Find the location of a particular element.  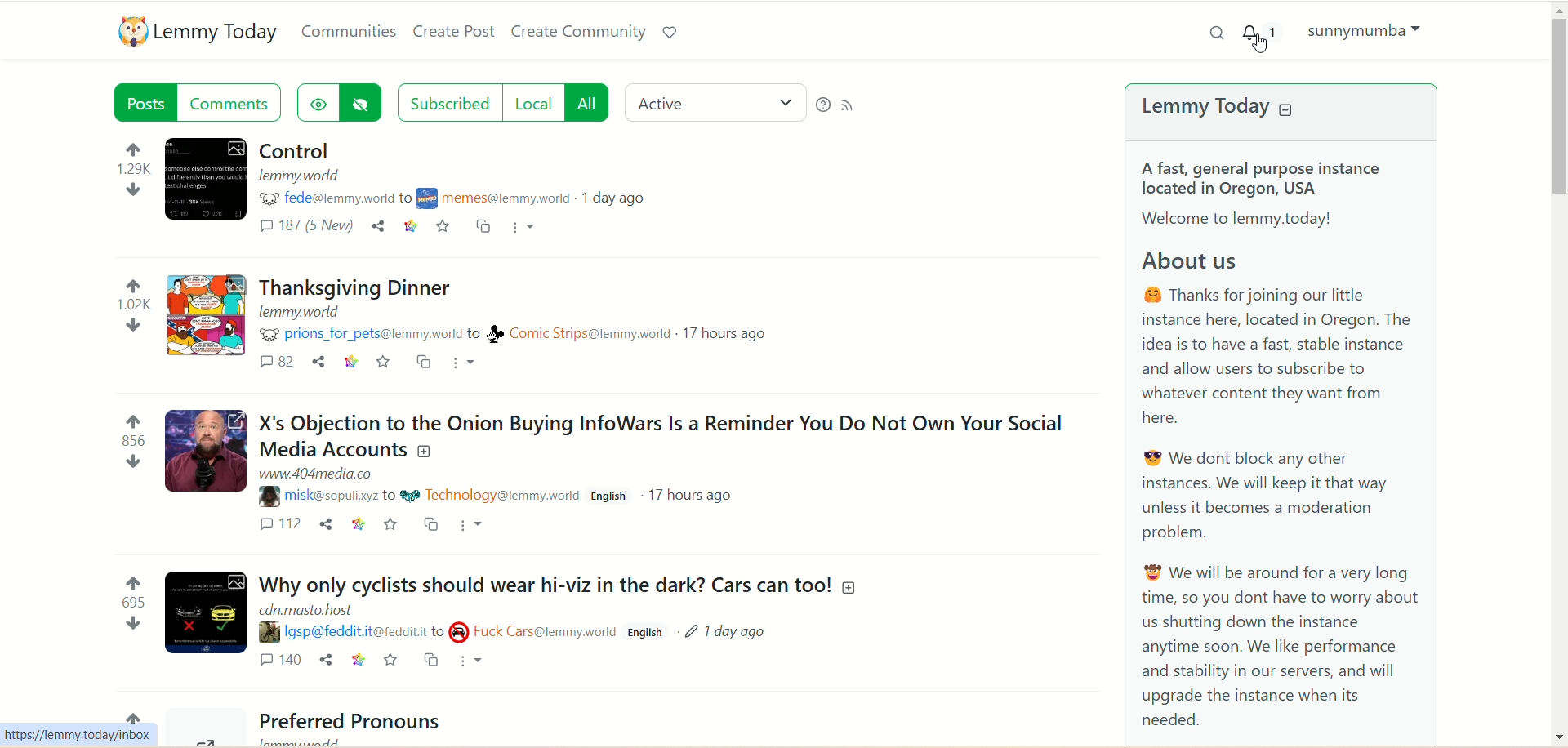

all is located at coordinates (590, 105).